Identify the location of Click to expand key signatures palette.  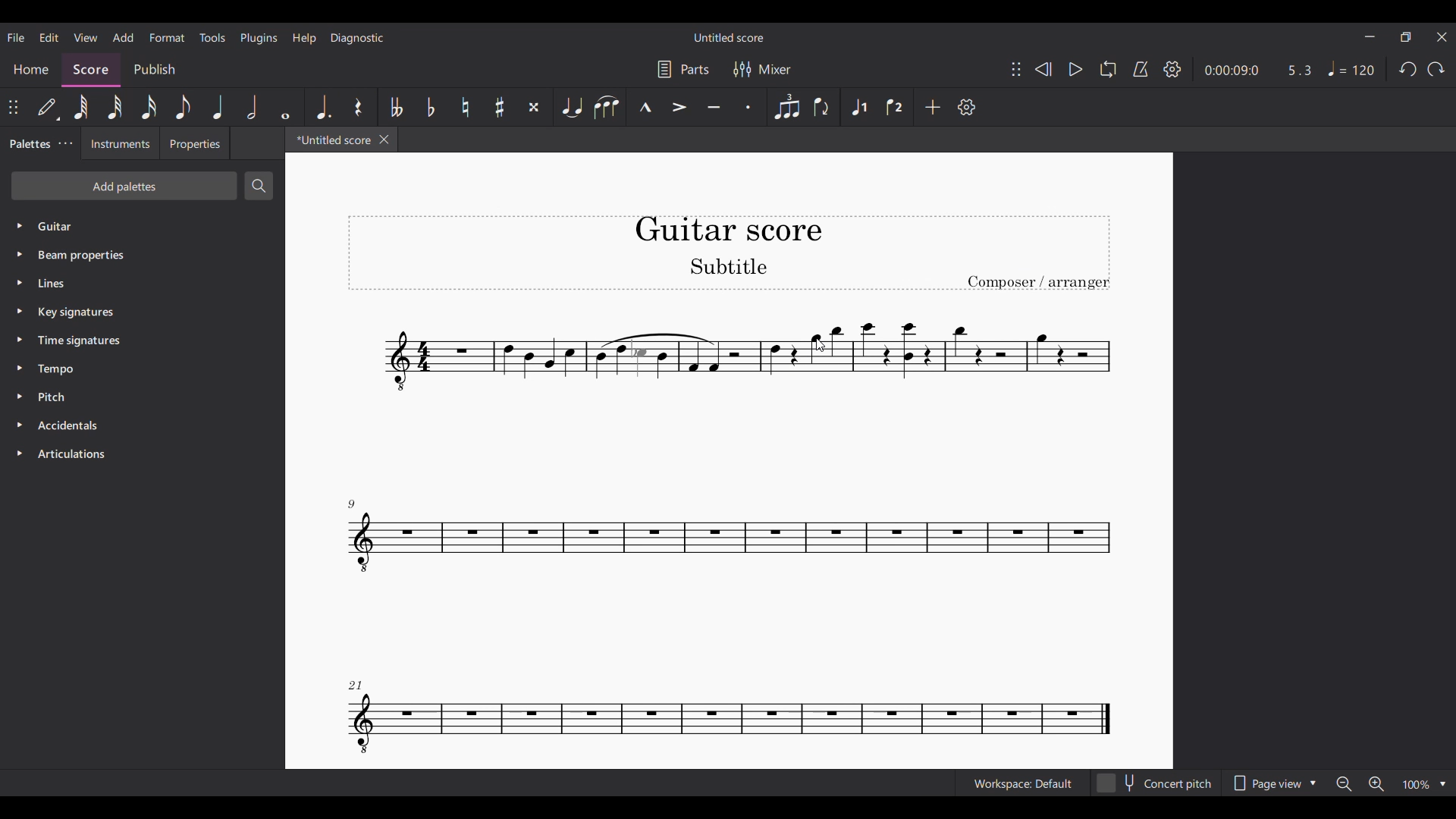
(20, 311).